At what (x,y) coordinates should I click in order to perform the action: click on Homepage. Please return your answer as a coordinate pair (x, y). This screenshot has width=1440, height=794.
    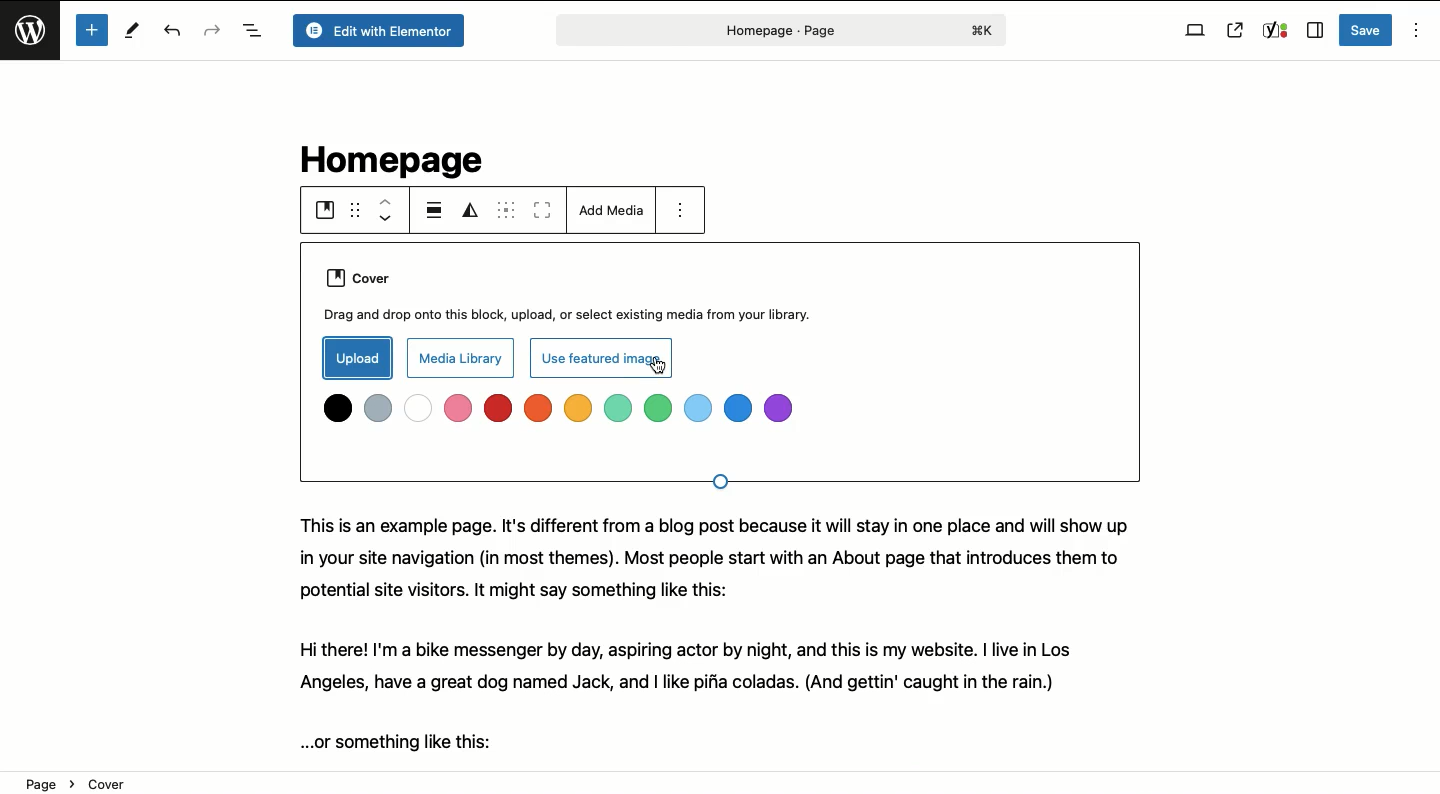
    Looking at the image, I should click on (386, 165).